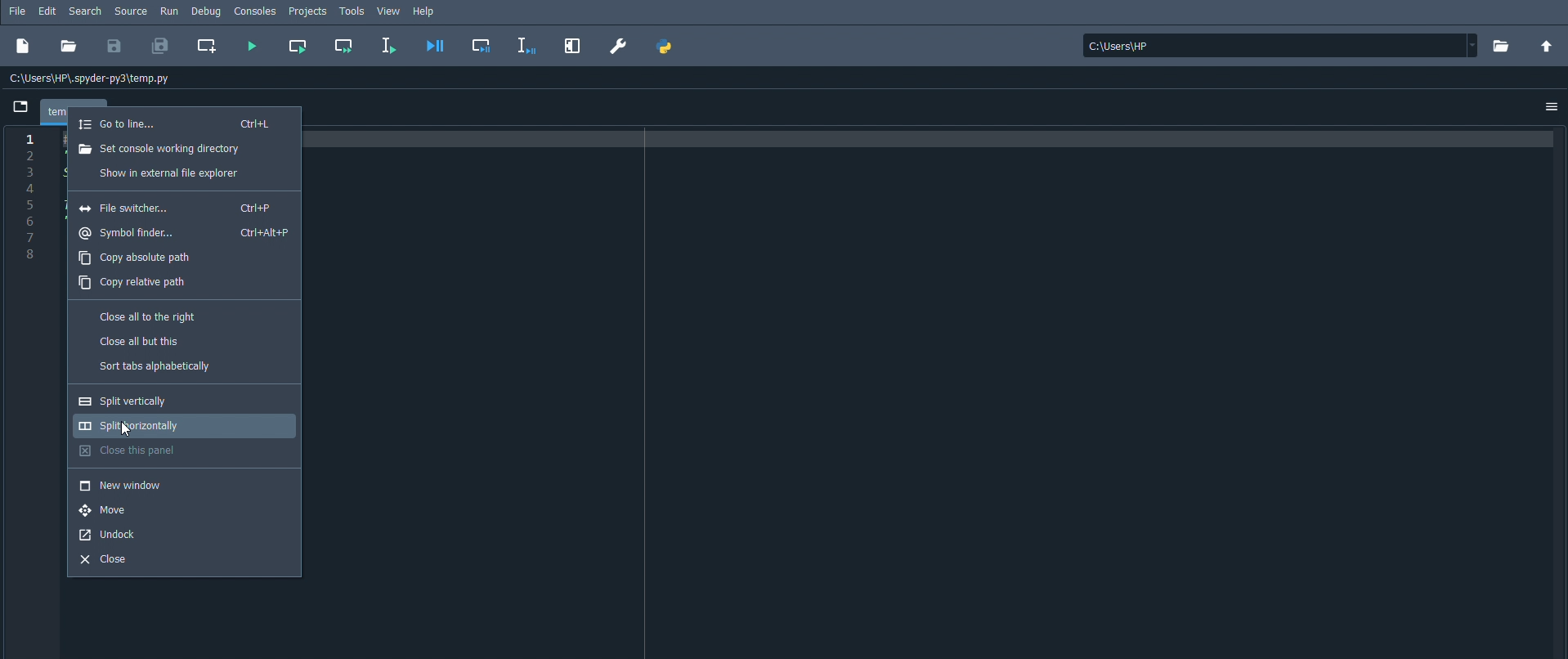  Describe the element at coordinates (96, 80) in the screenshot. I see `C:\Users\HP\.spyder-py3\temp.py` at that location.